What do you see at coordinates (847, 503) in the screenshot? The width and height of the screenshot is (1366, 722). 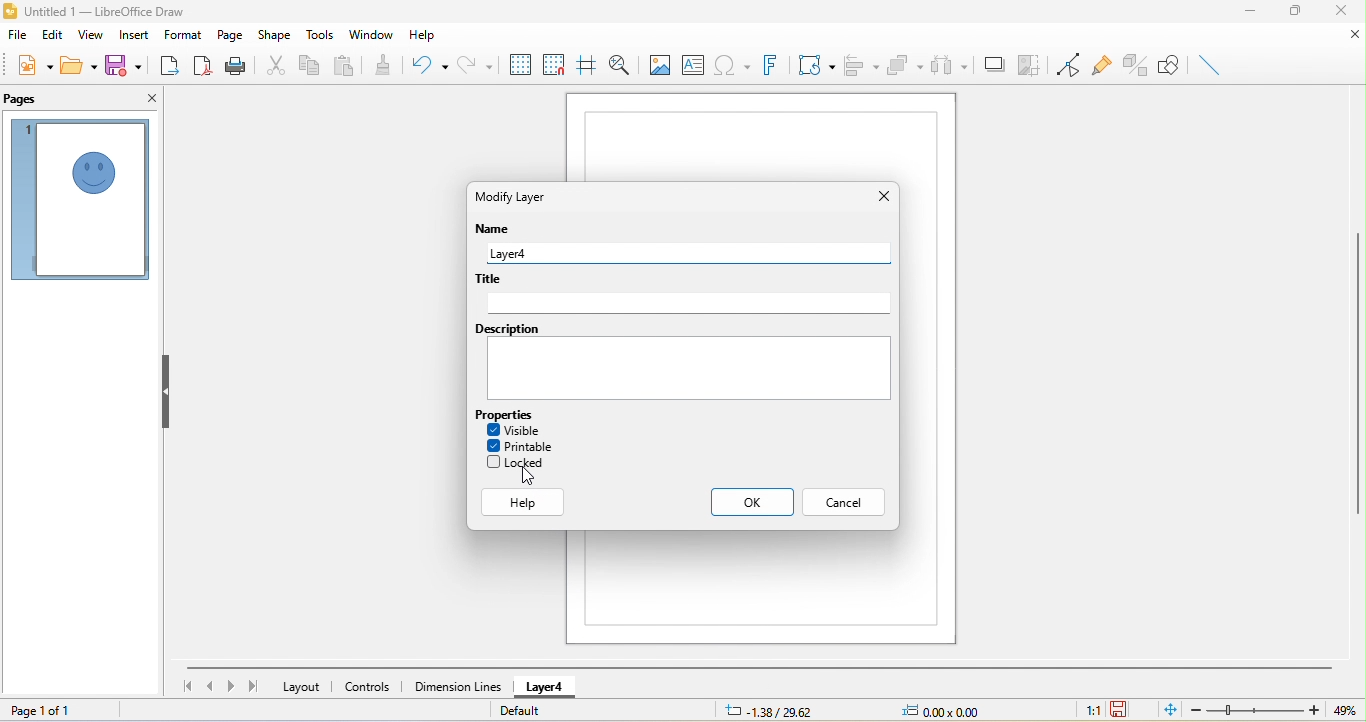 I see `cancel` at bounding box center [847, 503].